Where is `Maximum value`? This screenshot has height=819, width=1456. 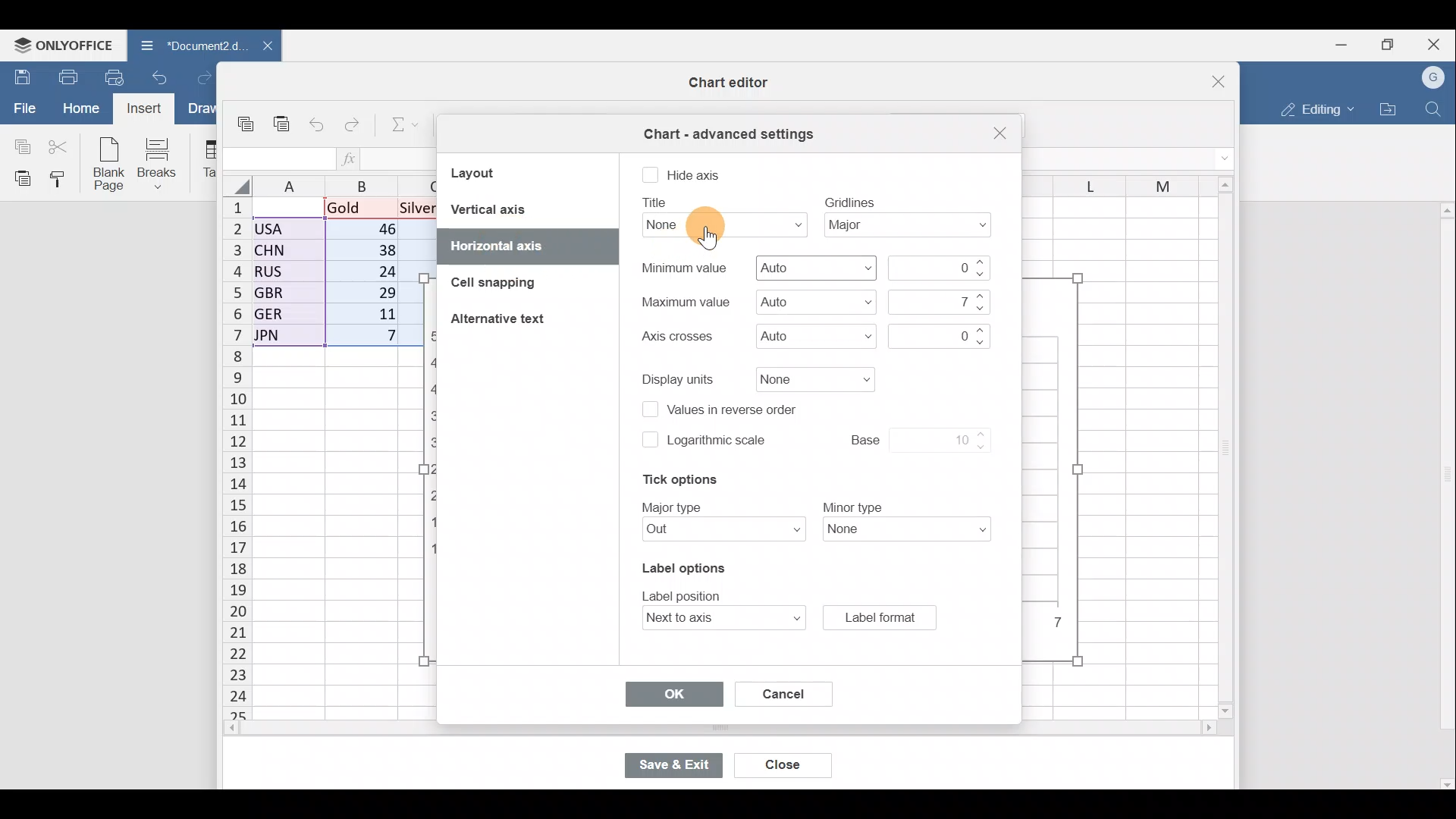
Maximum value is located at coordinates (936, 301).